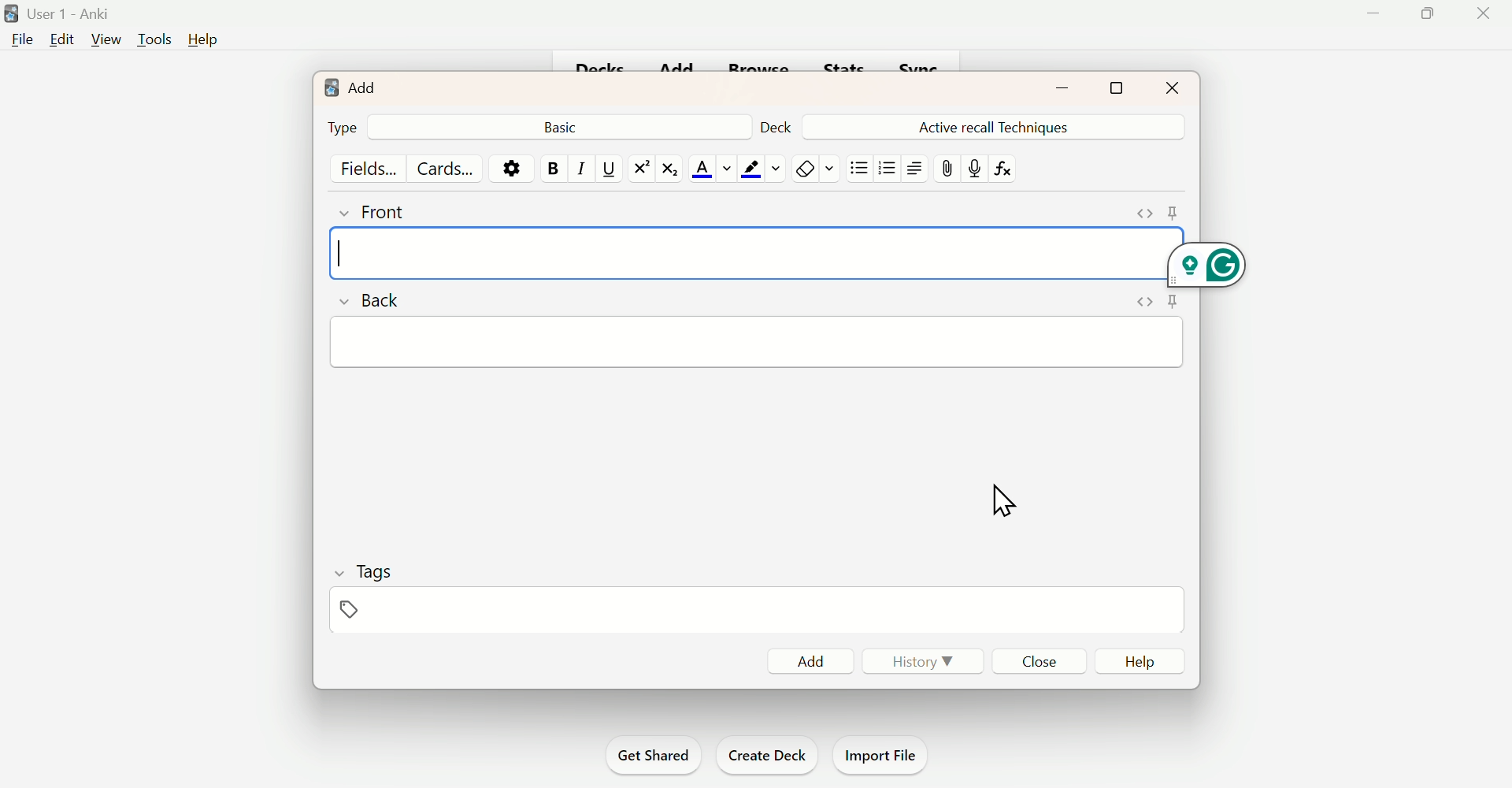 The height and width of the screenshot is (788, 1512). What do you see at coordinates (1005, 502) in the screenshot?
I see `Cursor` at bounding box center [1005, 502].